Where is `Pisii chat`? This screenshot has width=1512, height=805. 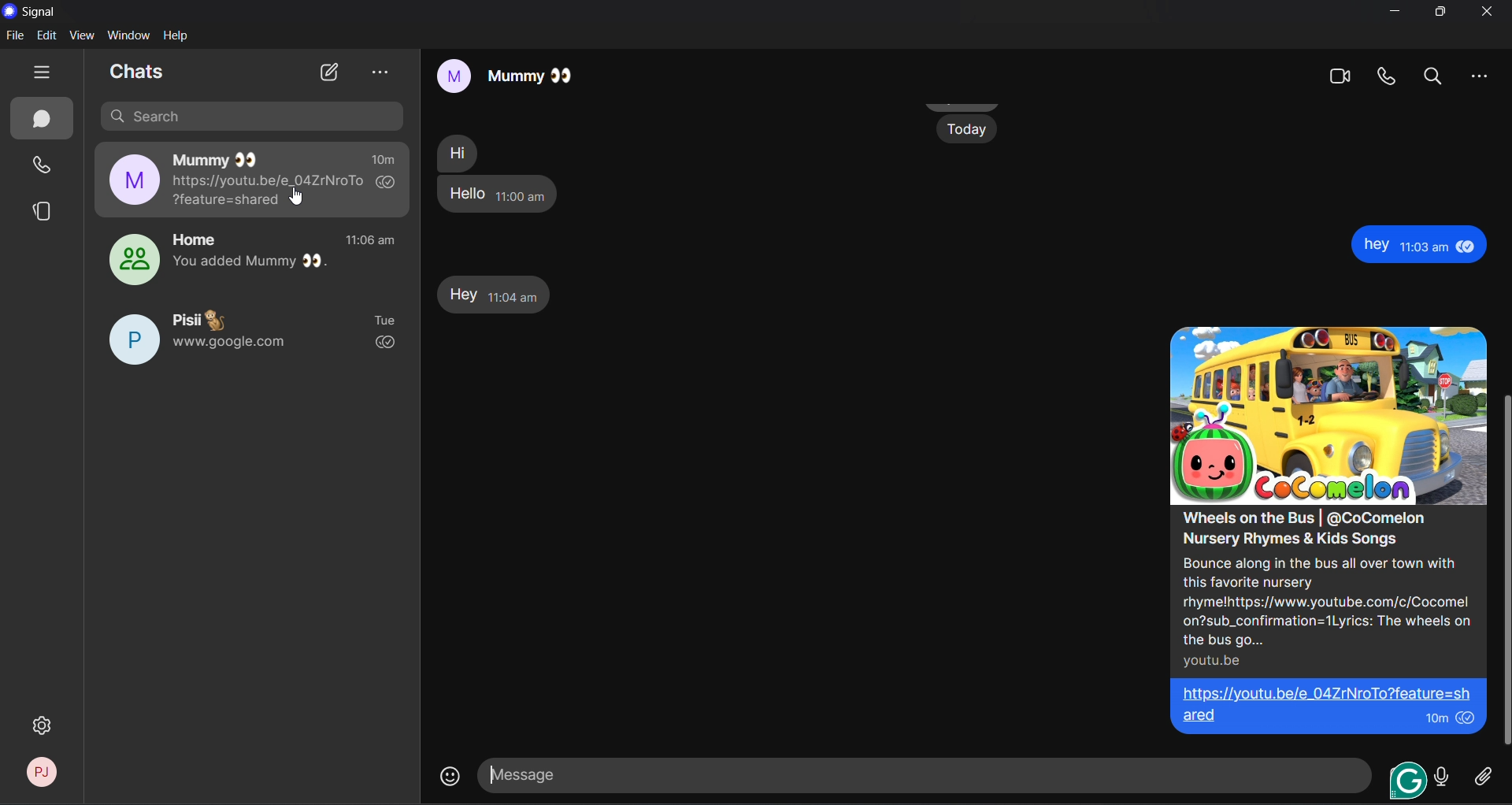
Pisii chat is located at coordinates (250, 338).